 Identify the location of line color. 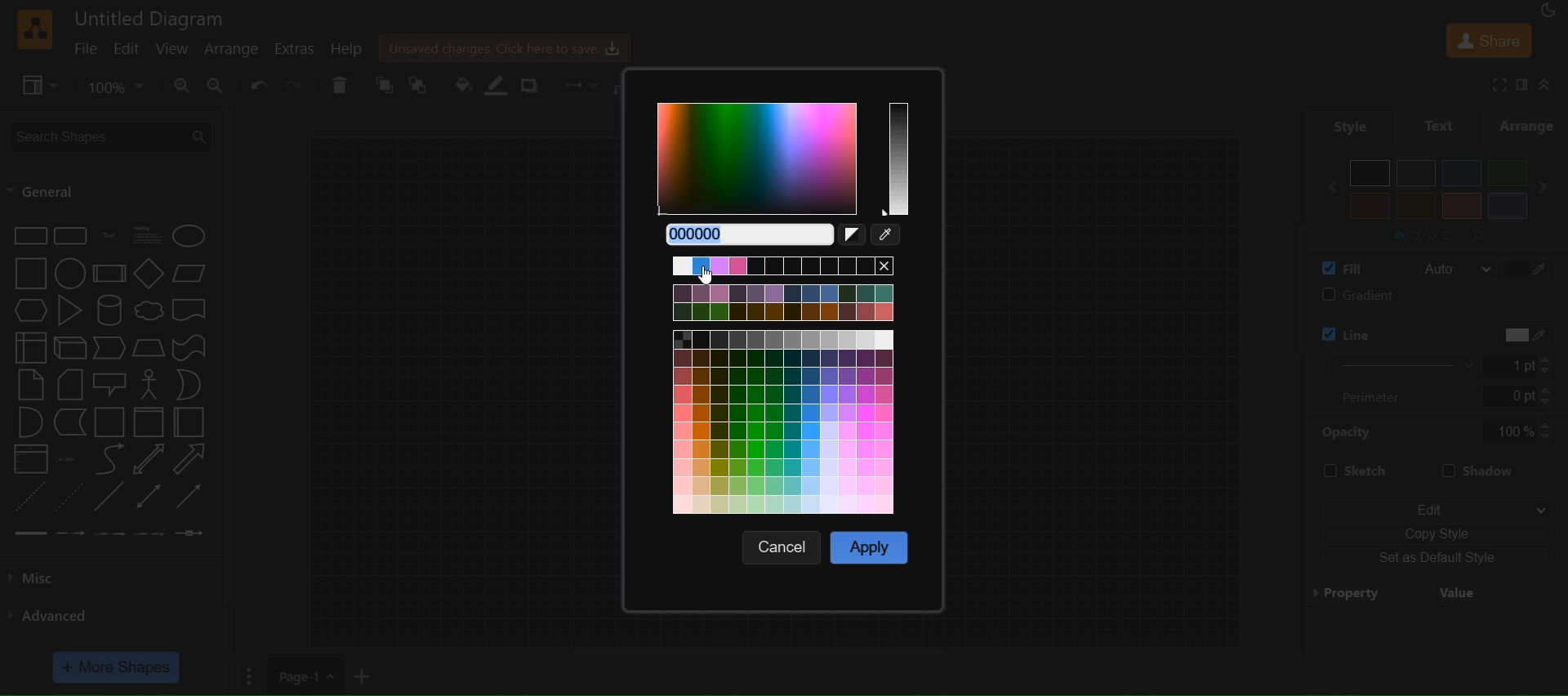
(1383, 330).